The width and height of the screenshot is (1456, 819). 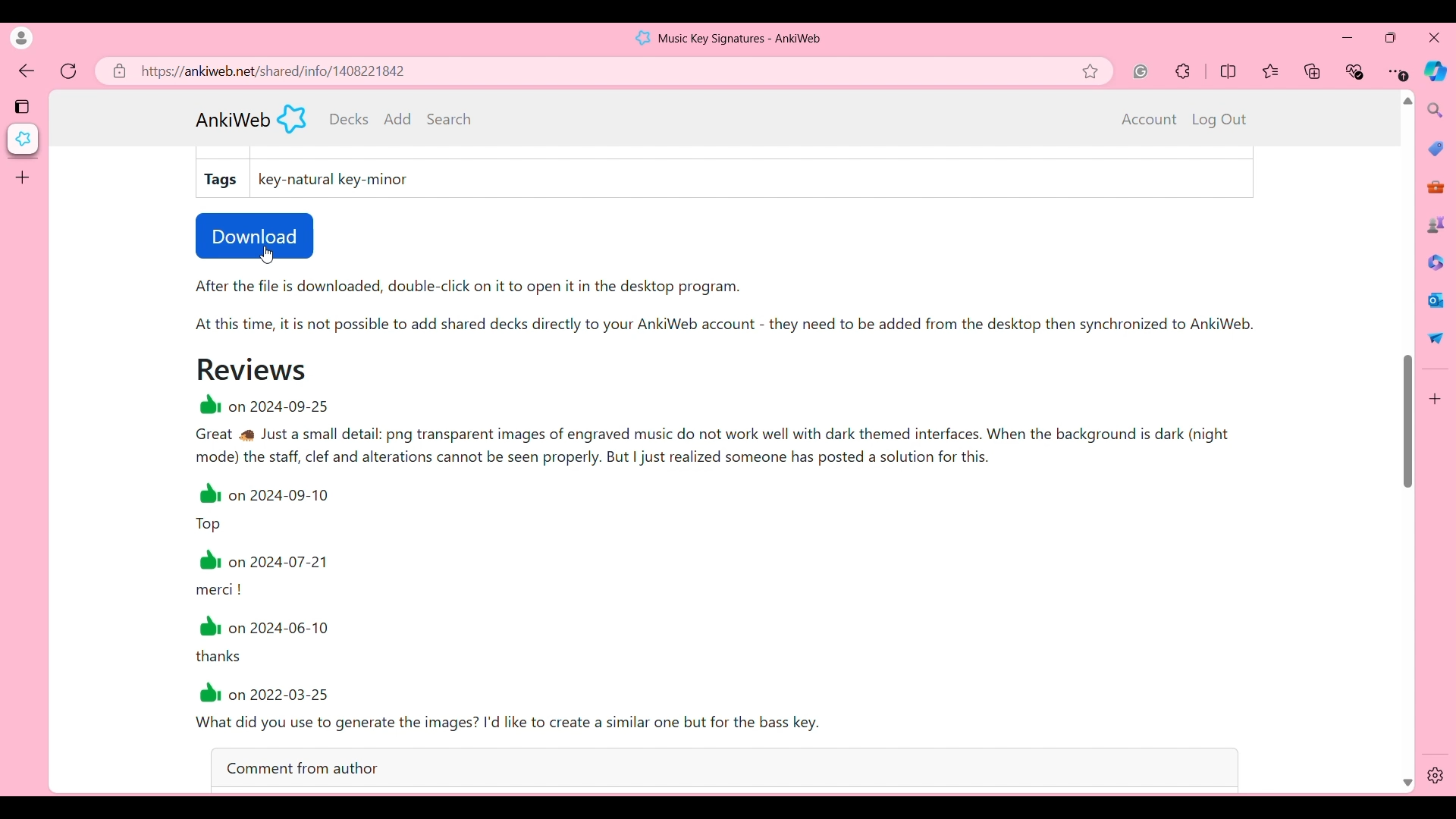 I want to click on Games, so click(x=1436, y=224).